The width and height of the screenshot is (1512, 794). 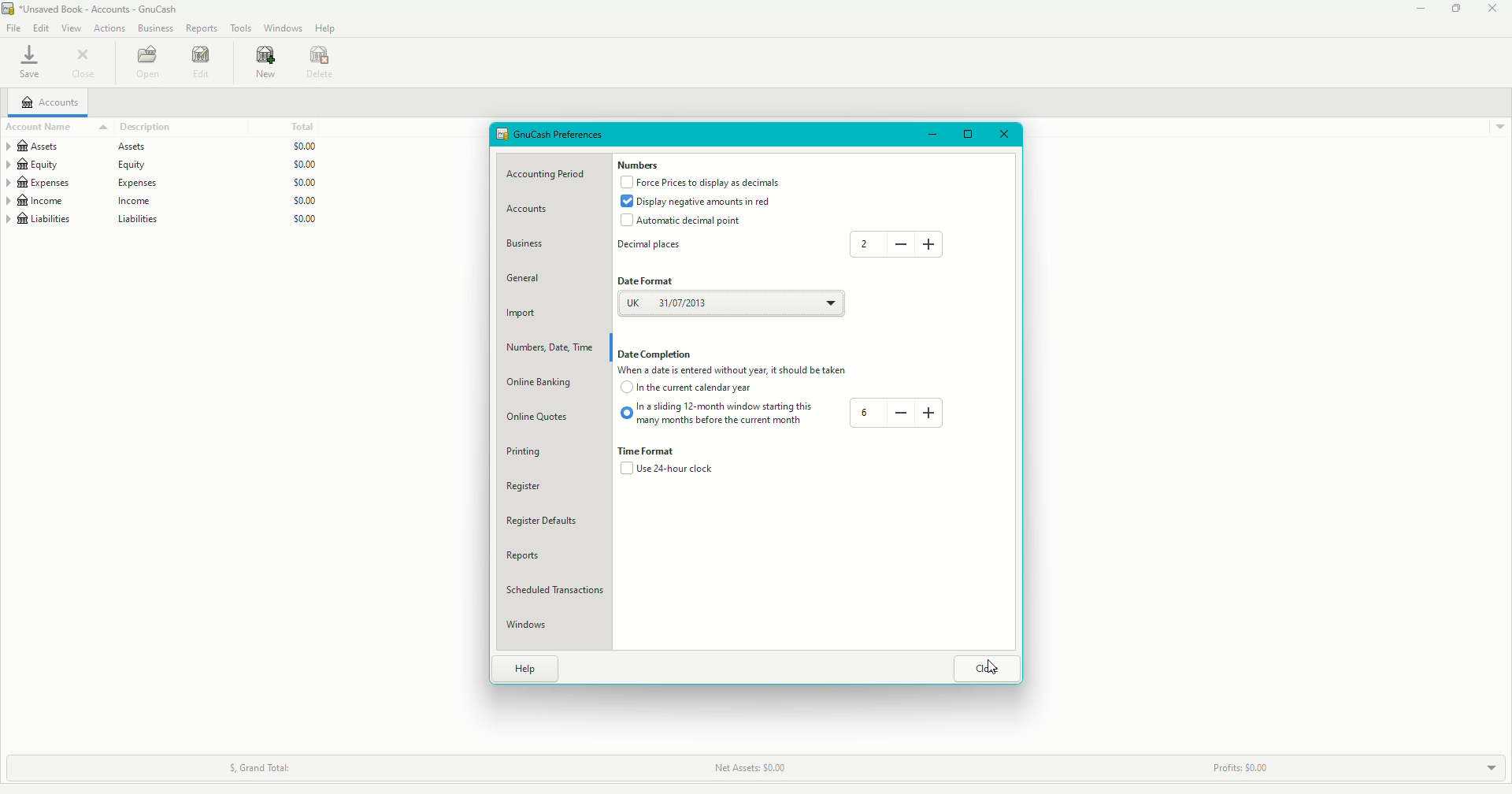 What do you see at coordinates (241, 28) in the screenshot?
I see `Tools` at bounding box center [241, 28].